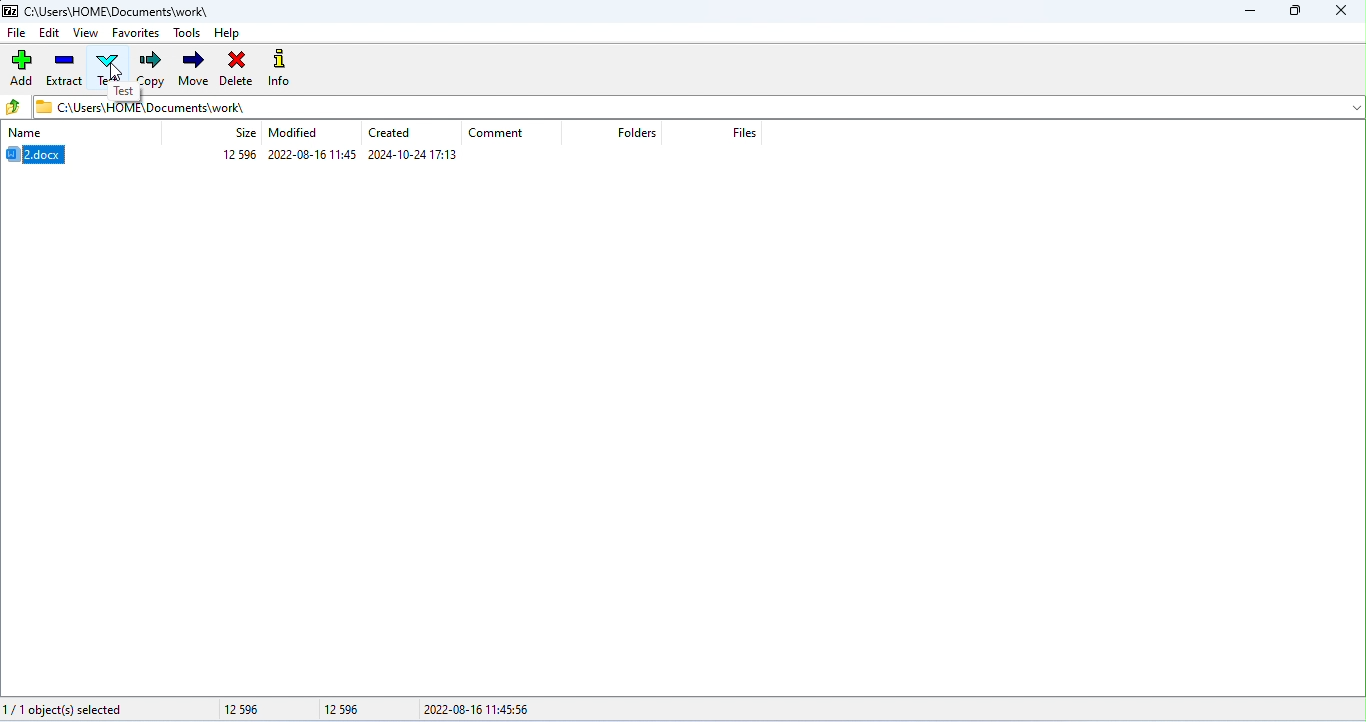 The width and height of the screenshot is (1366, 722). I want to click on files, so click(750, 132).